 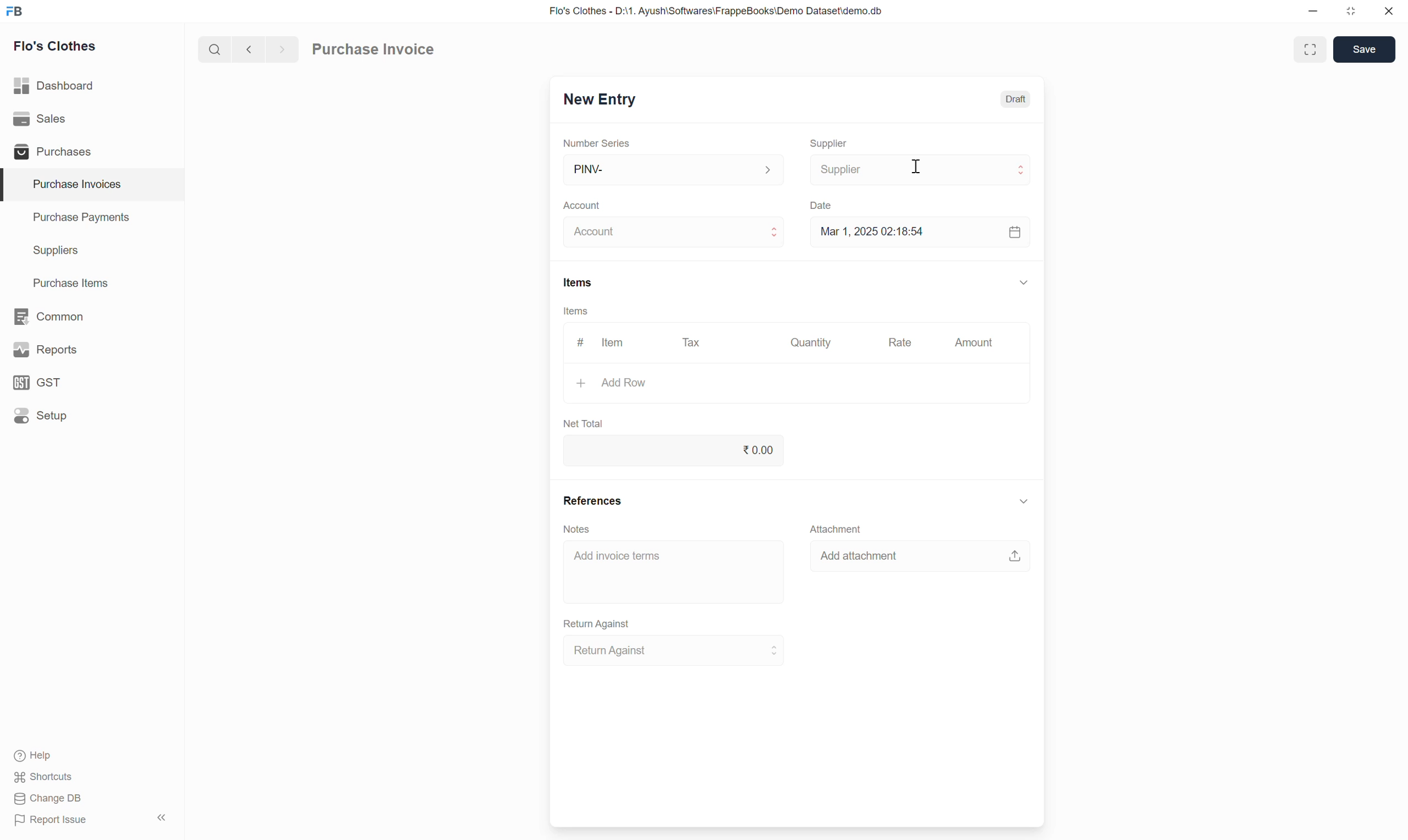 I want to click on # Item, so click(x=602, y=342).